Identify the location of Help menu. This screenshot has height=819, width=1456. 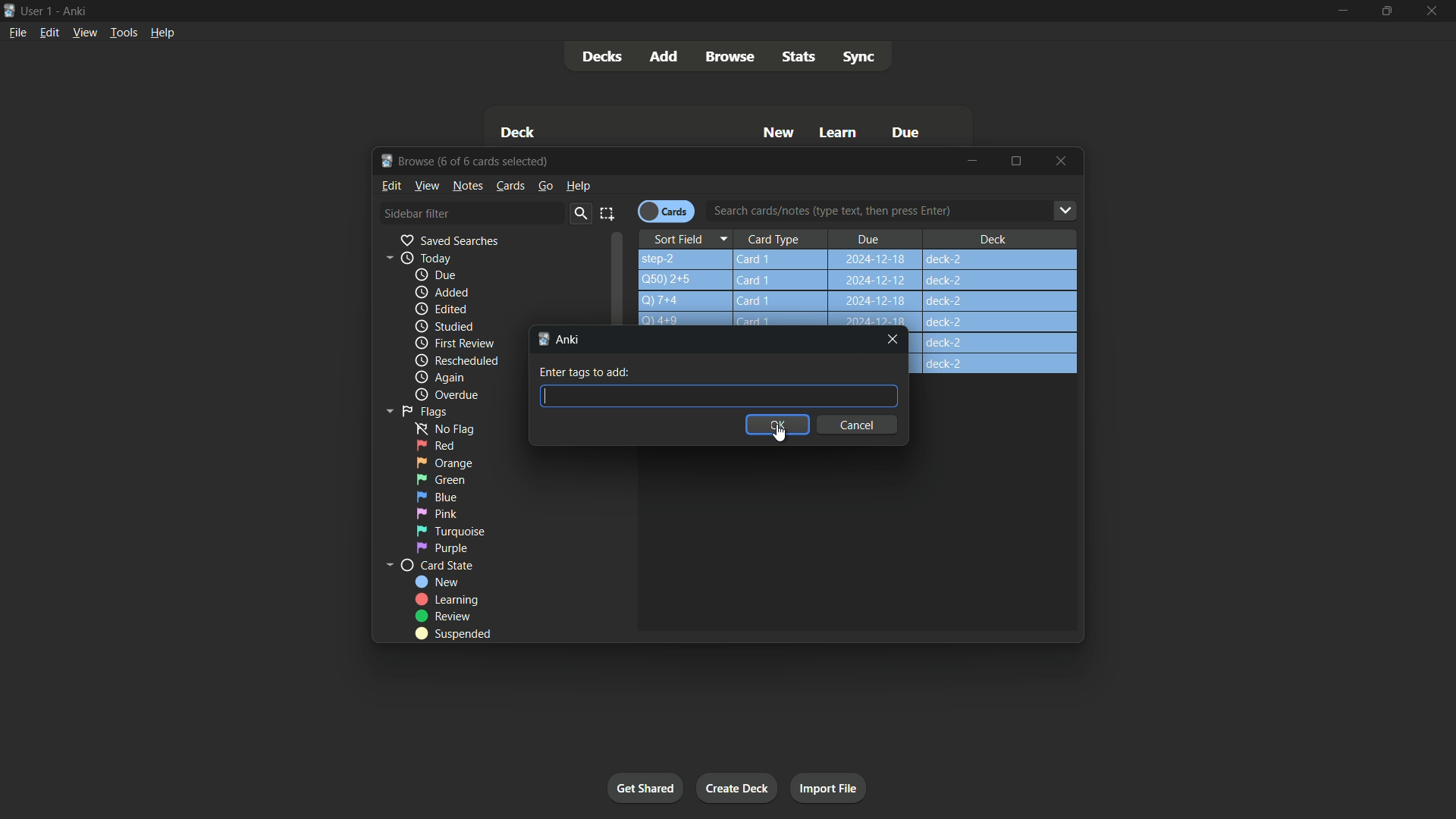
(165, 33).